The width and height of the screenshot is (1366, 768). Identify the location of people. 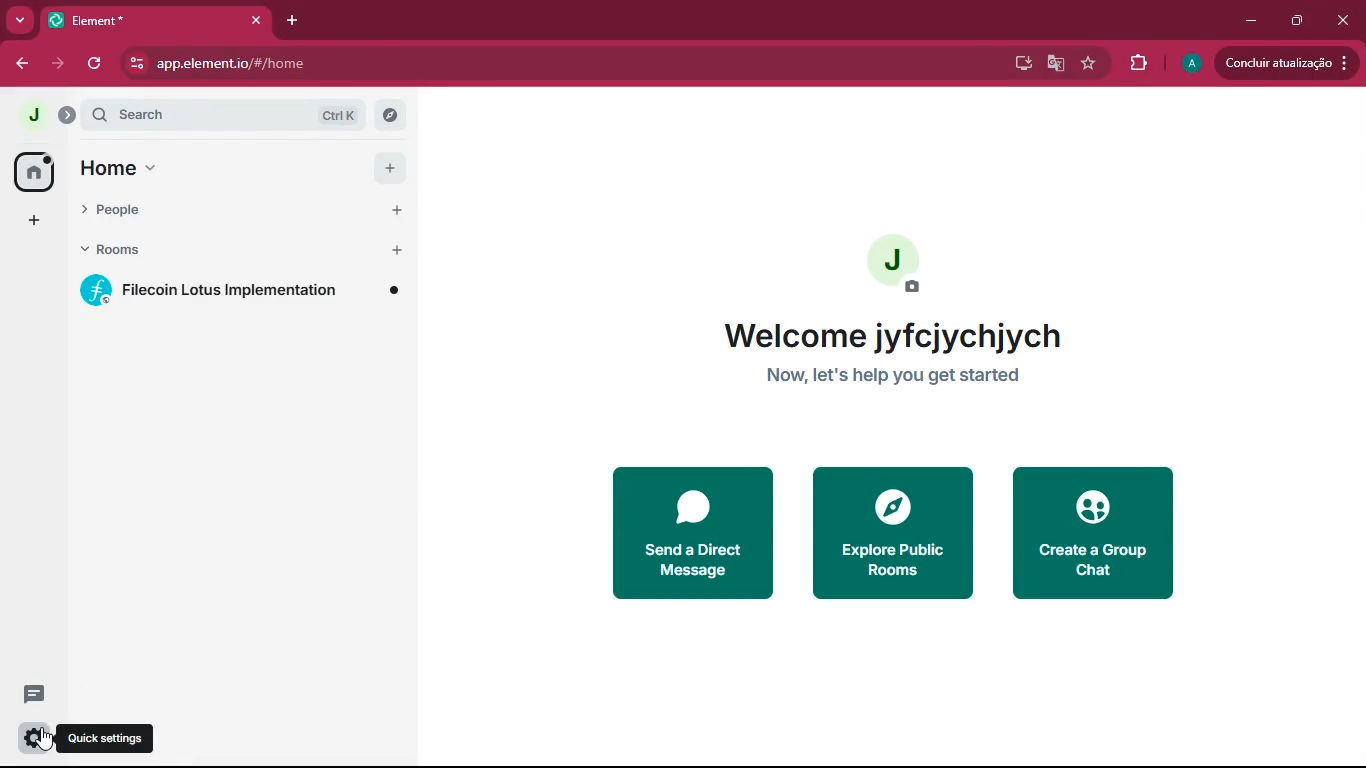
(208, 214).